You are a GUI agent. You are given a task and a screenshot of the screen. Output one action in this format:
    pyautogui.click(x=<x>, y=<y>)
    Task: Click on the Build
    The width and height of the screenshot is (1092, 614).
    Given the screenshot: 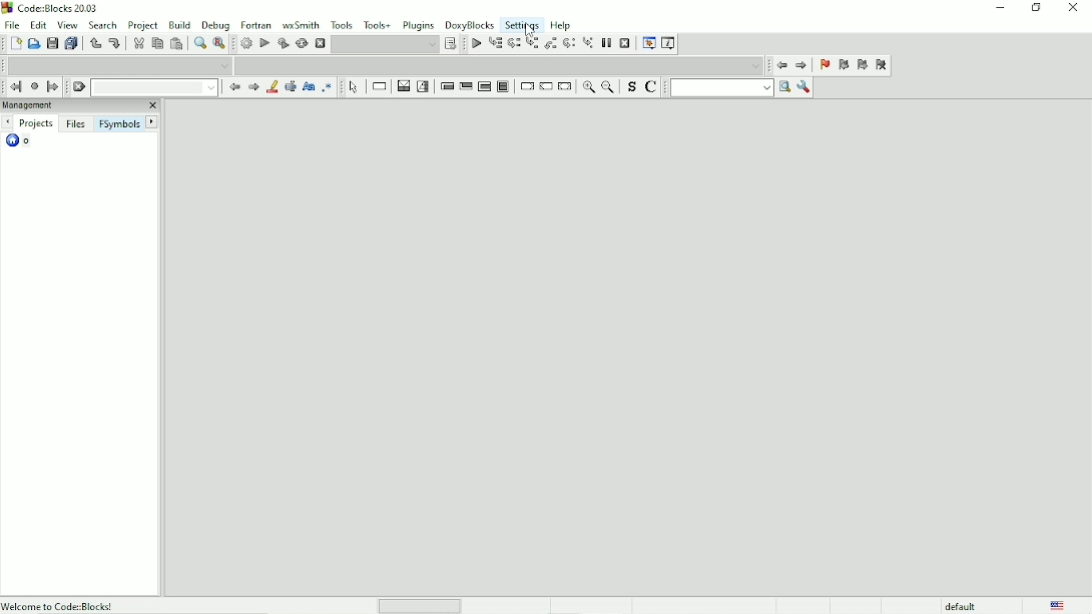 What is the action you would take?
    pyautogui.click(x=180, y=25)
    